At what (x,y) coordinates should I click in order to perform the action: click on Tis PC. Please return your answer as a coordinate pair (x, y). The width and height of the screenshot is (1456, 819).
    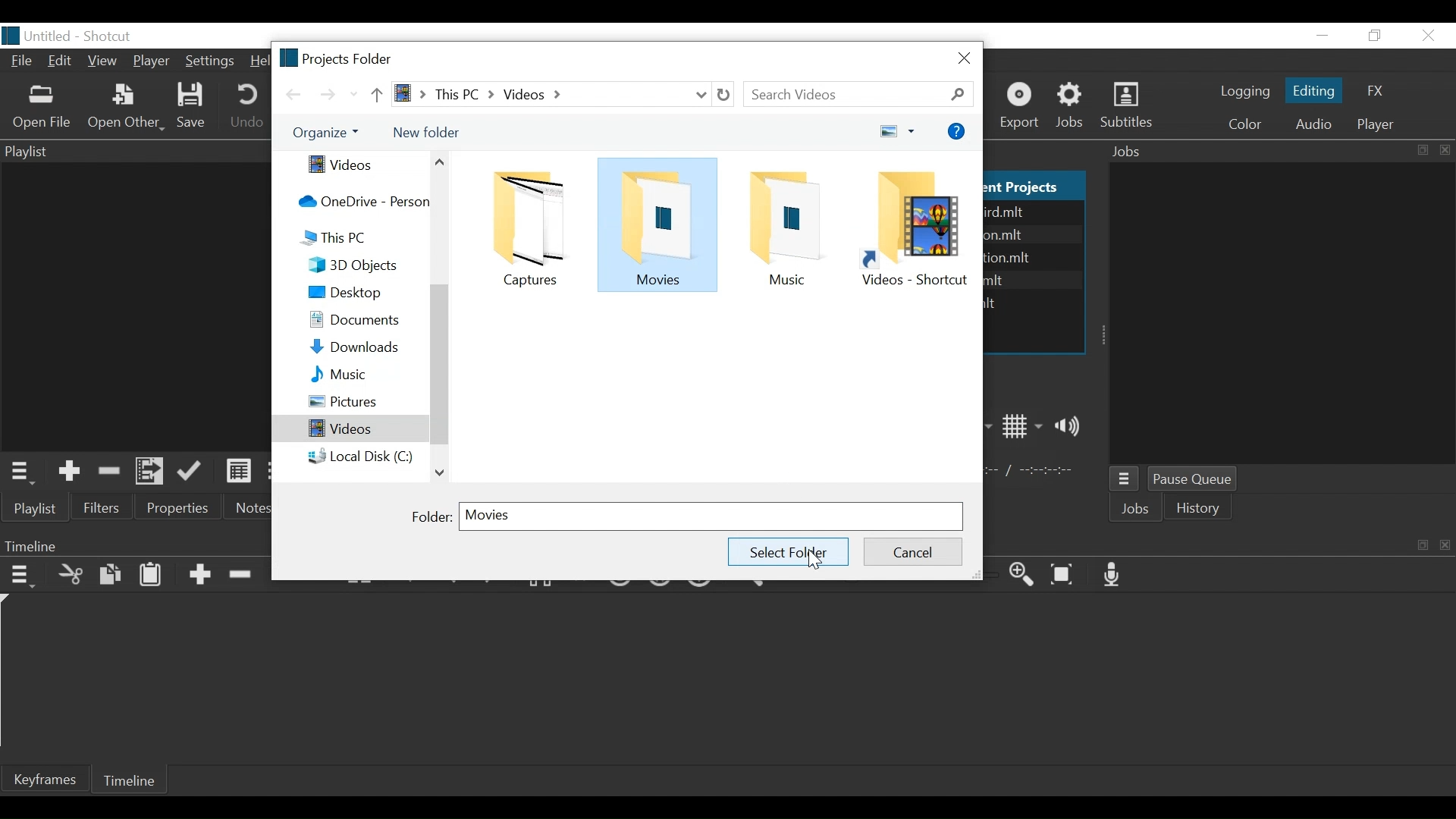
    Looking at the image, I should click on (358, 238).